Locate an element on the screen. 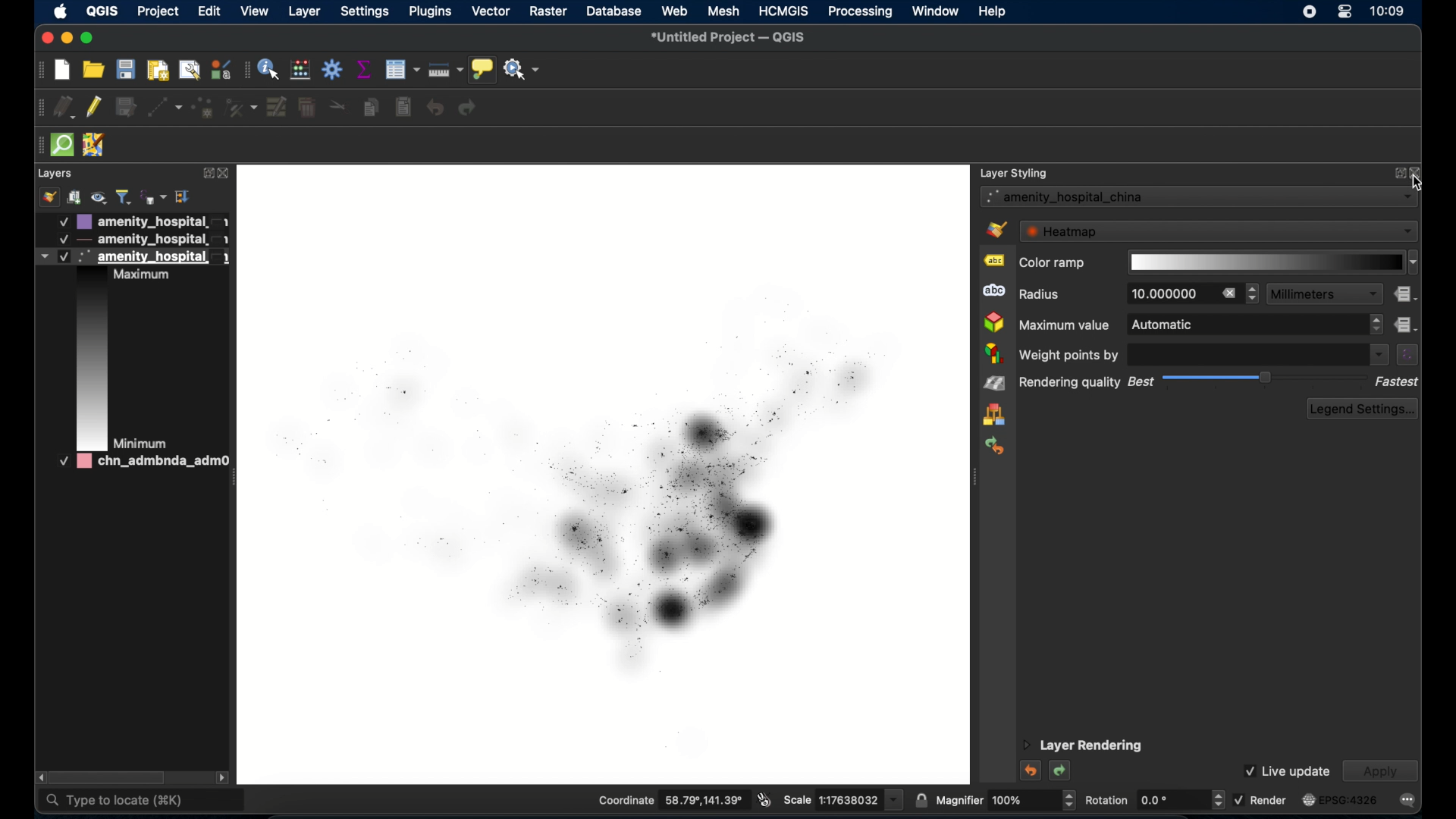  best is located at coordinates (1141, 381).